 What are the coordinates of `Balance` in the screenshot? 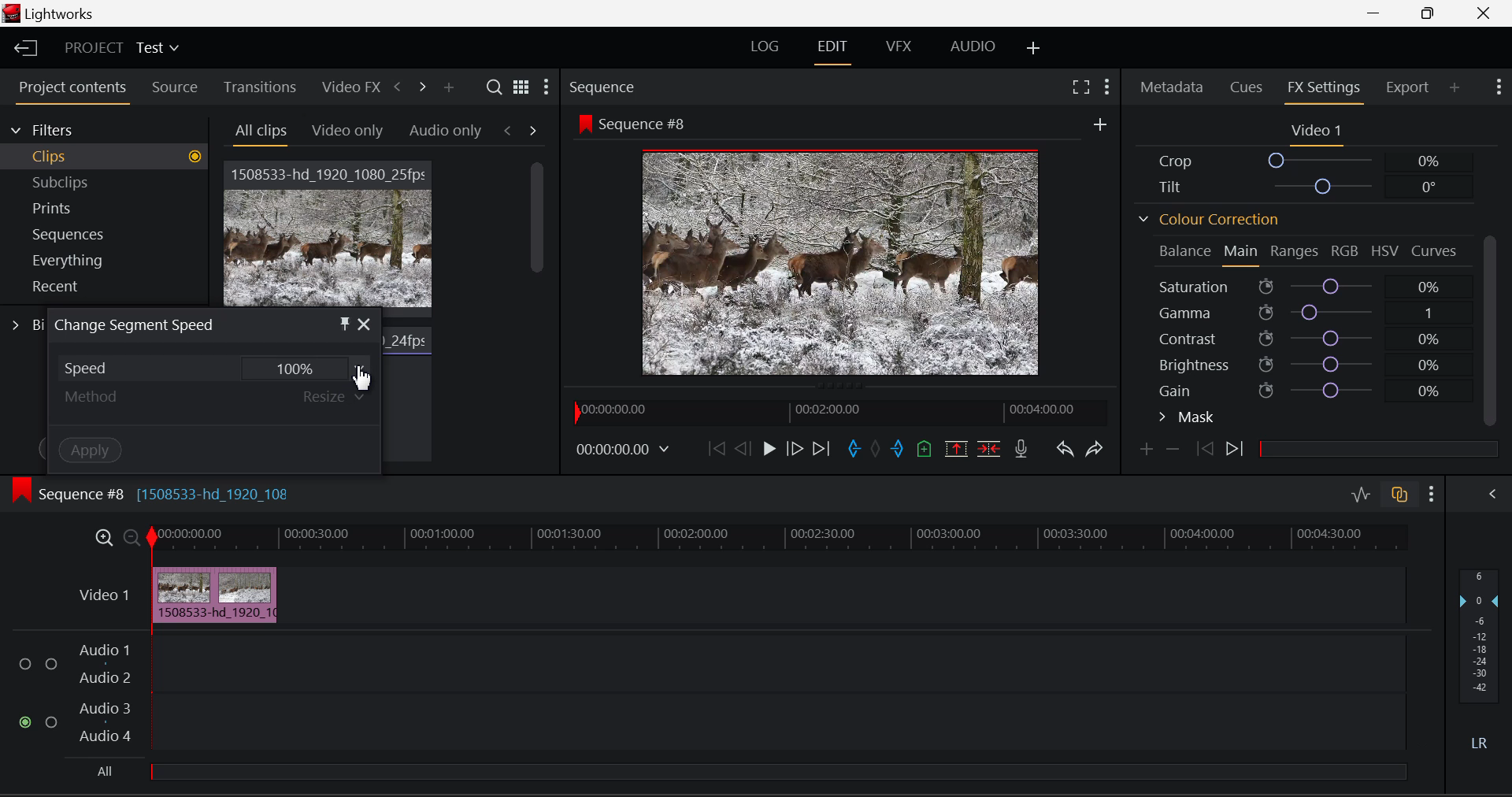 It's located at (1181, 252).